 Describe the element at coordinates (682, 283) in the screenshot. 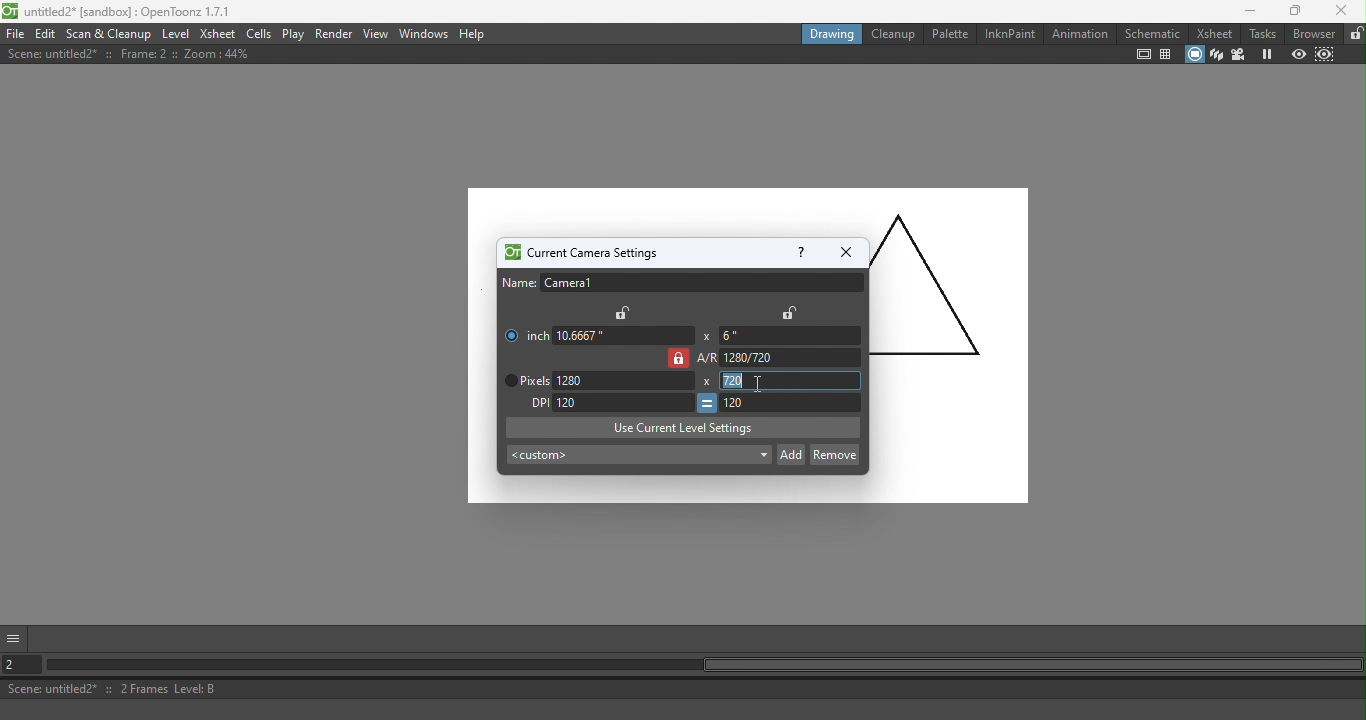

I see `Name` at that location.